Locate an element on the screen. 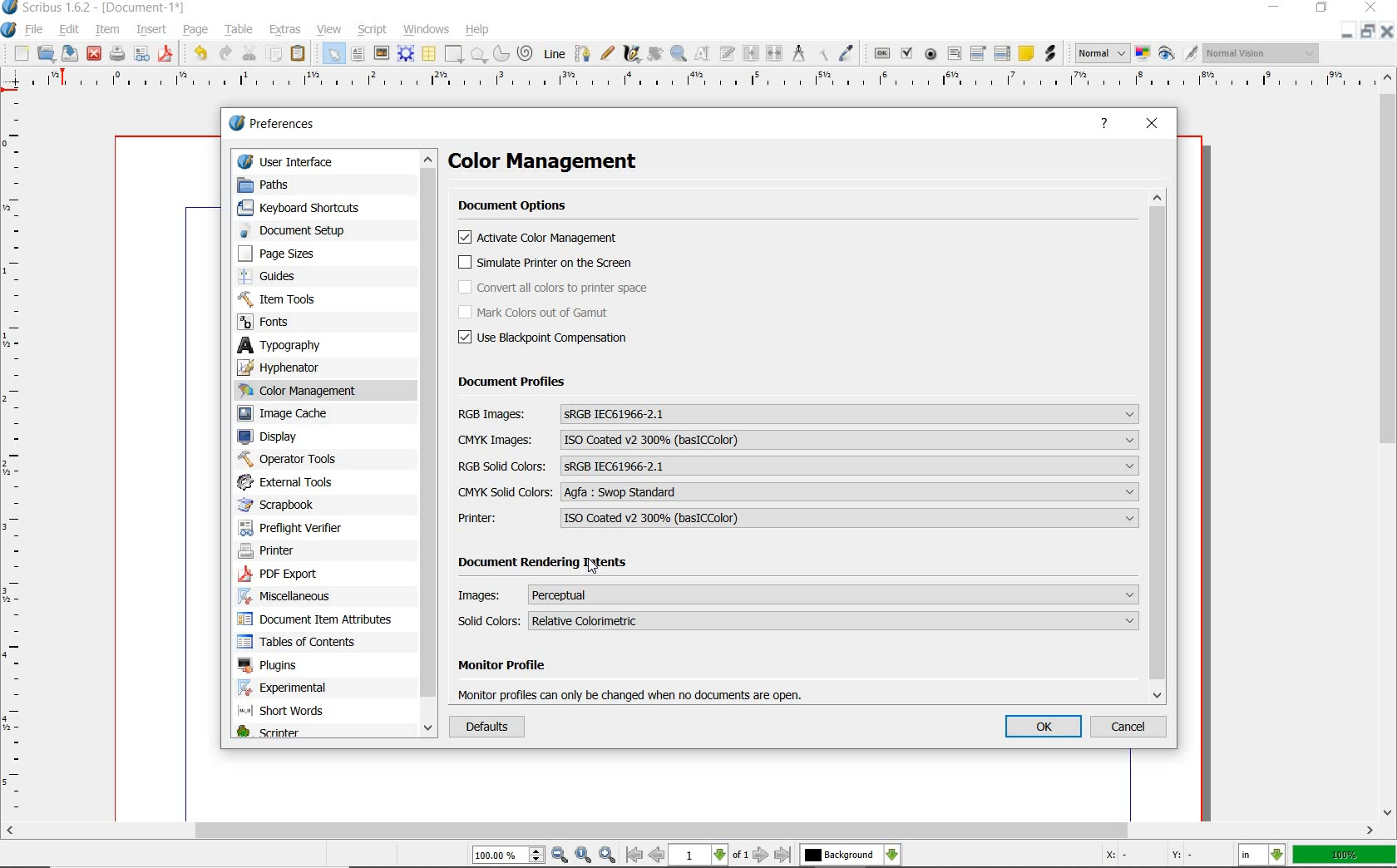 The image size is (1397, 868). open is located at coordinates (47, 55).